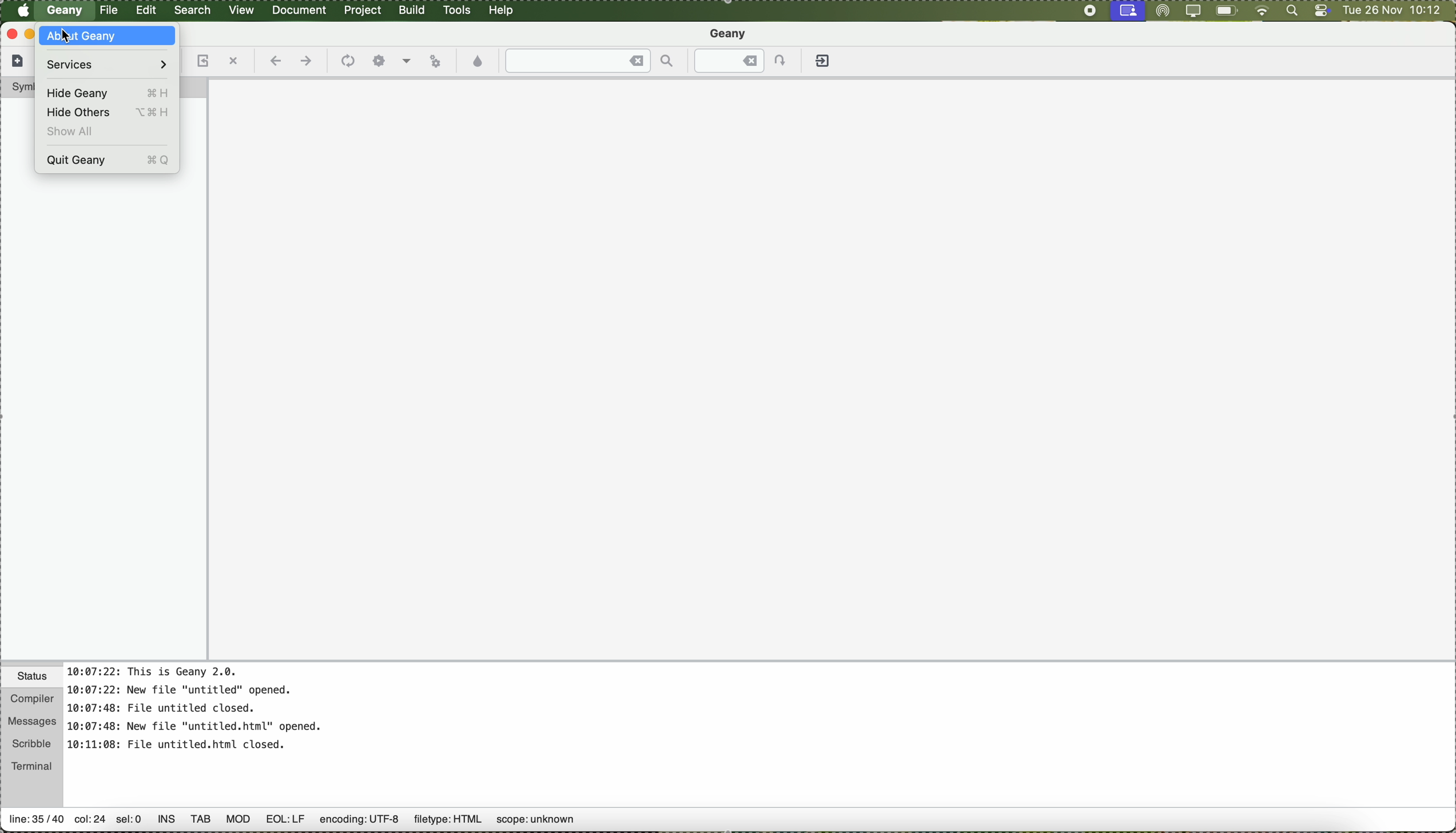 The image size is (1456, 833). I want to click on scope: unknown, so click(538, 823).